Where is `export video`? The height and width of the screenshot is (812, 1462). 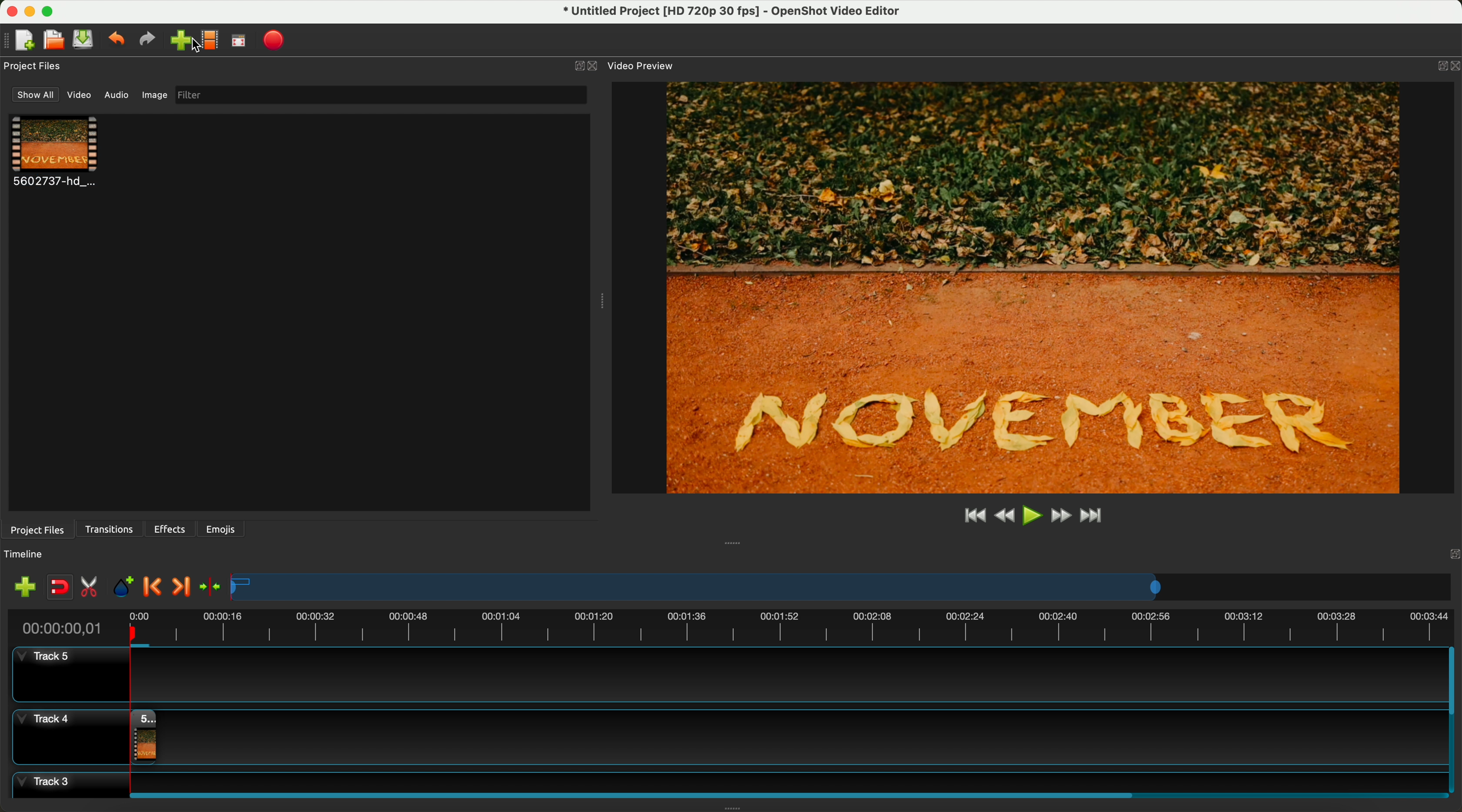 export video is located at coordinates (278, 40).